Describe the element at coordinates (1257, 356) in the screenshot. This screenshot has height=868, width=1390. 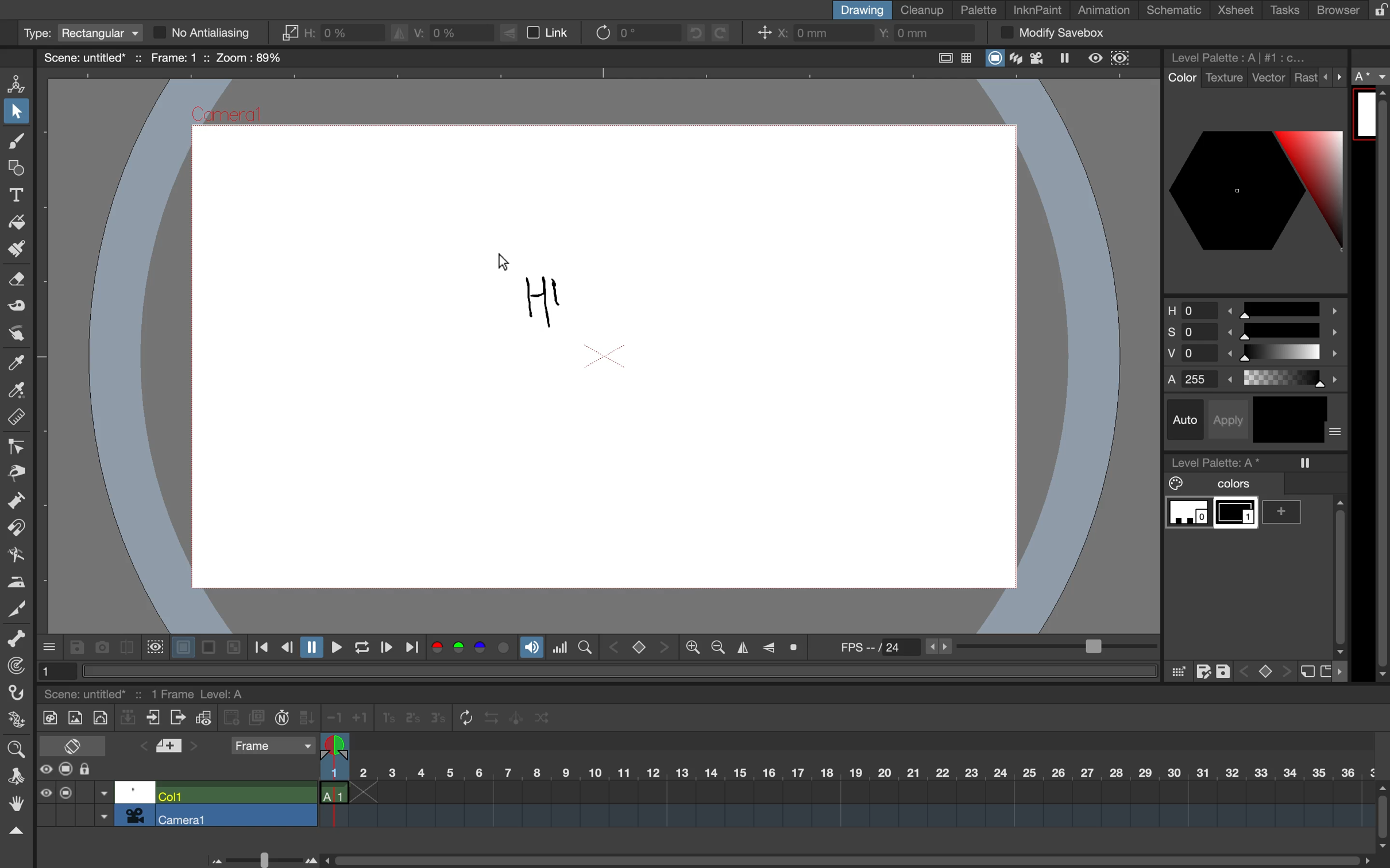
I see `brightness` at that location.